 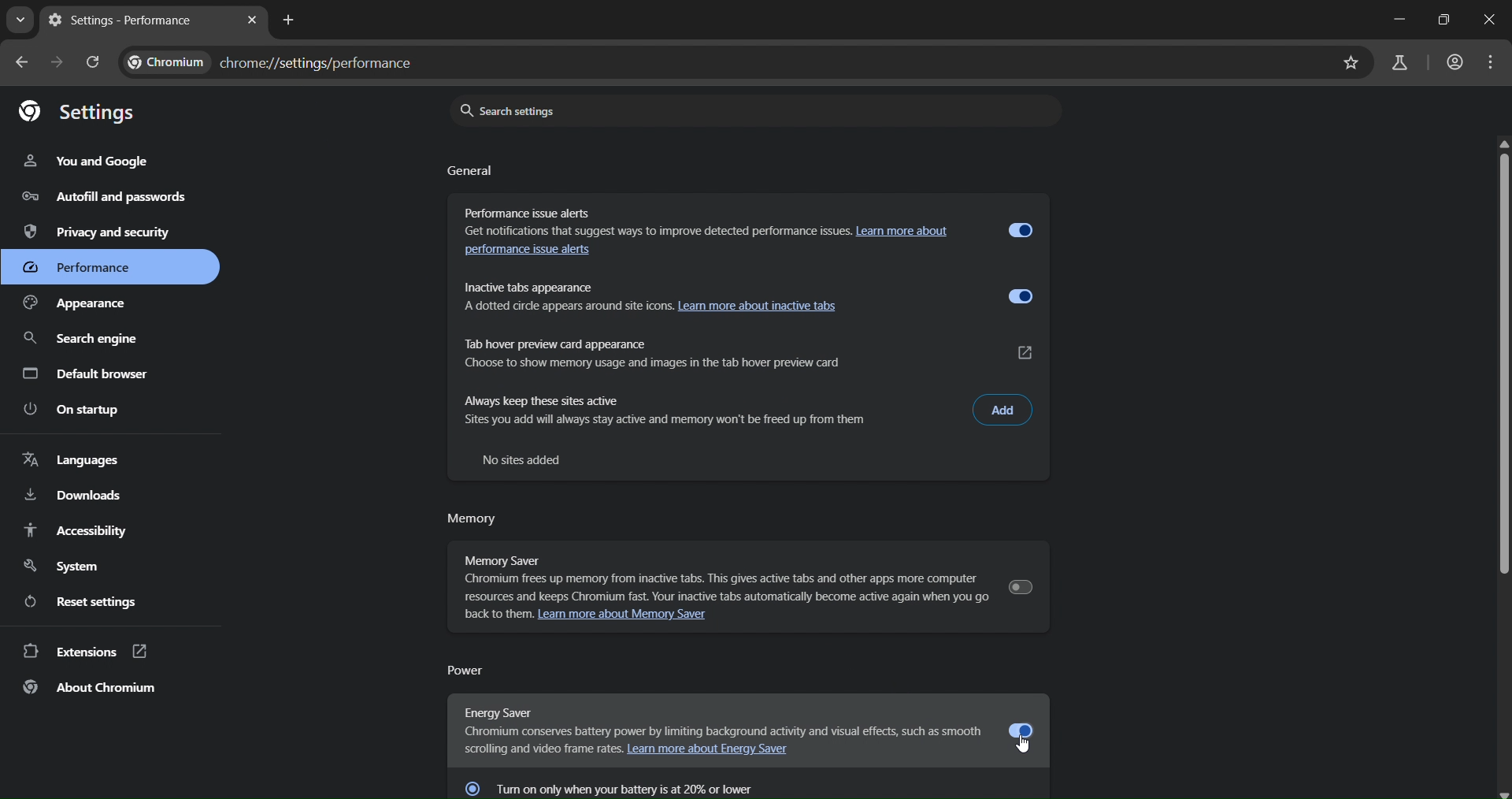 What do you see at coordinates (87, 162) in the screenshot?
I see `you and google` at bounding box center [87, 162].